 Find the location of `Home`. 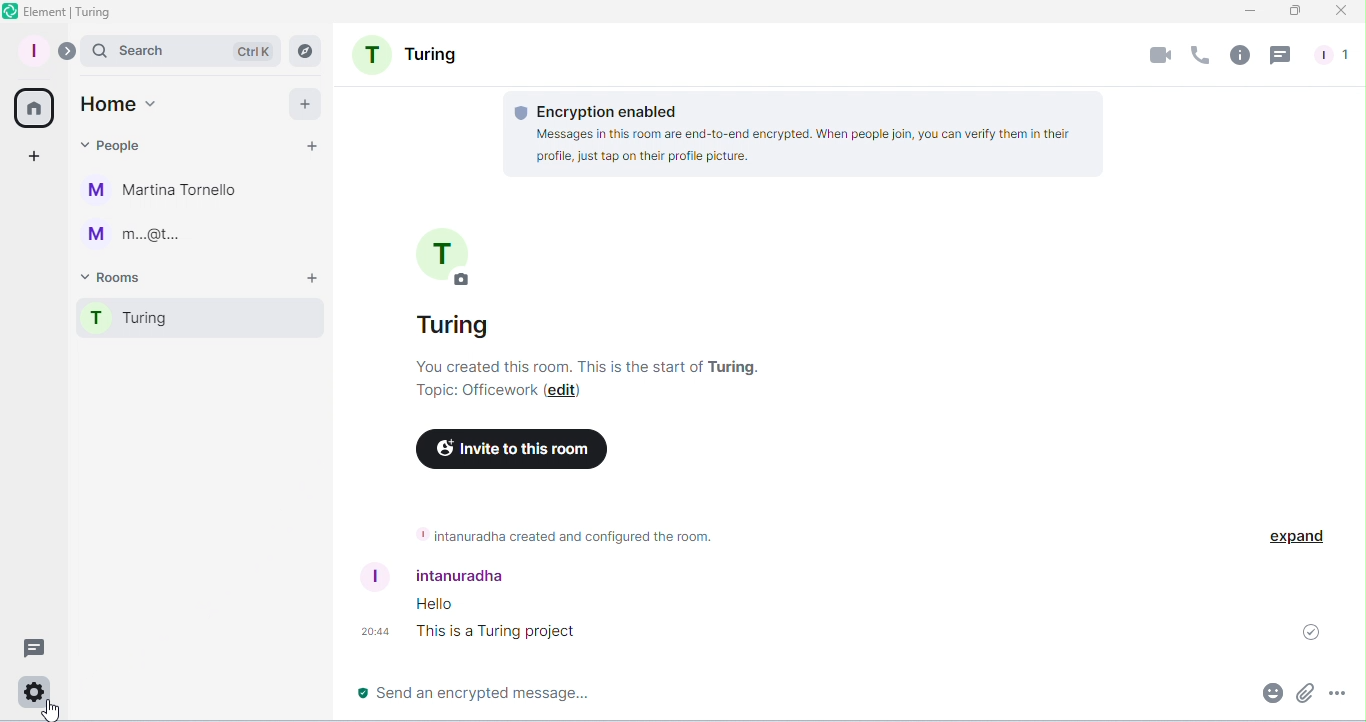

Home is located at coordinates (118, 107).